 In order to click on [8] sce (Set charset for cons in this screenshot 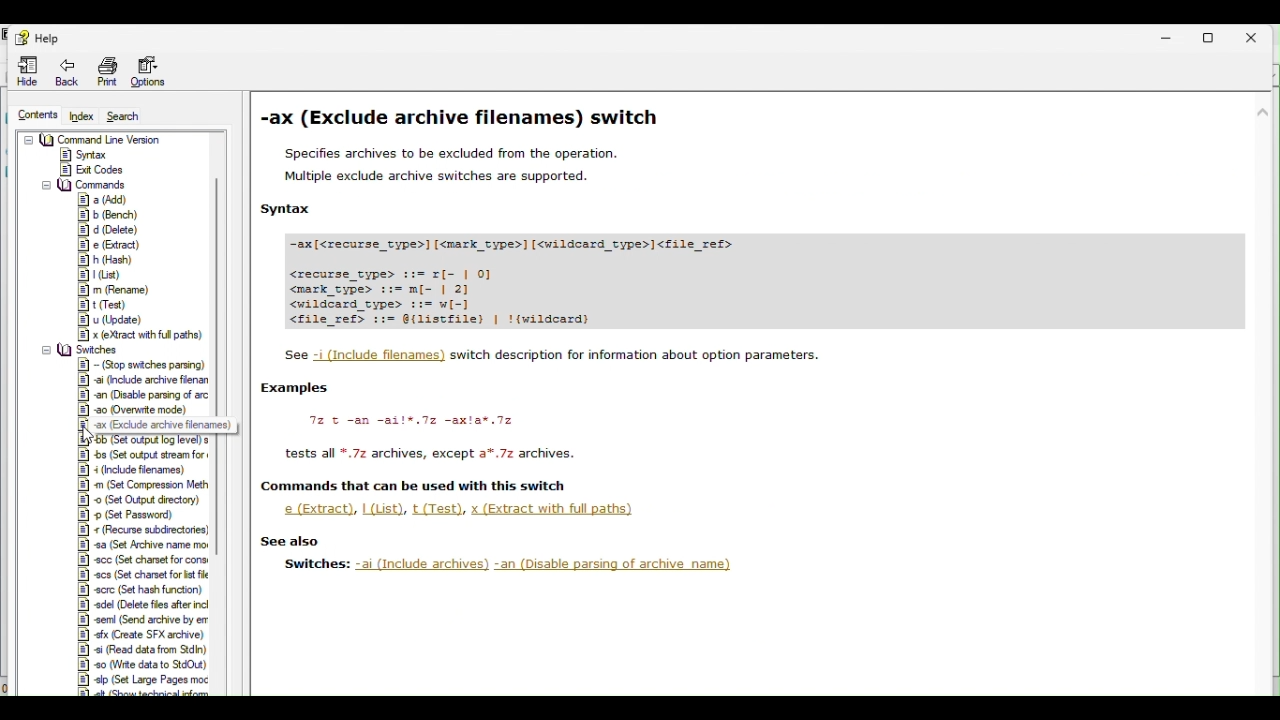, I will do `click(142, 558)`.